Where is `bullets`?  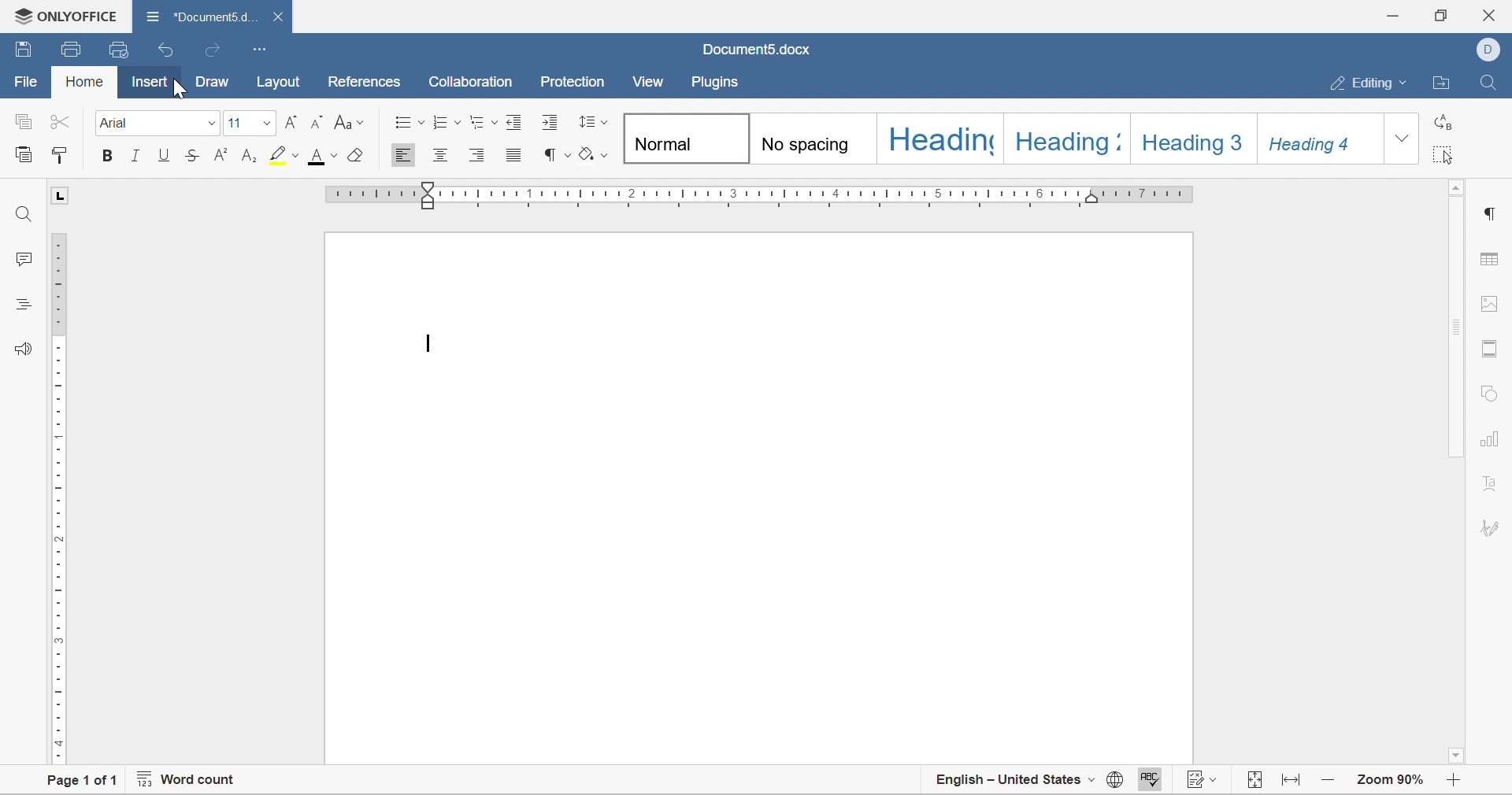 bullets is located at coordinates (405, 121).